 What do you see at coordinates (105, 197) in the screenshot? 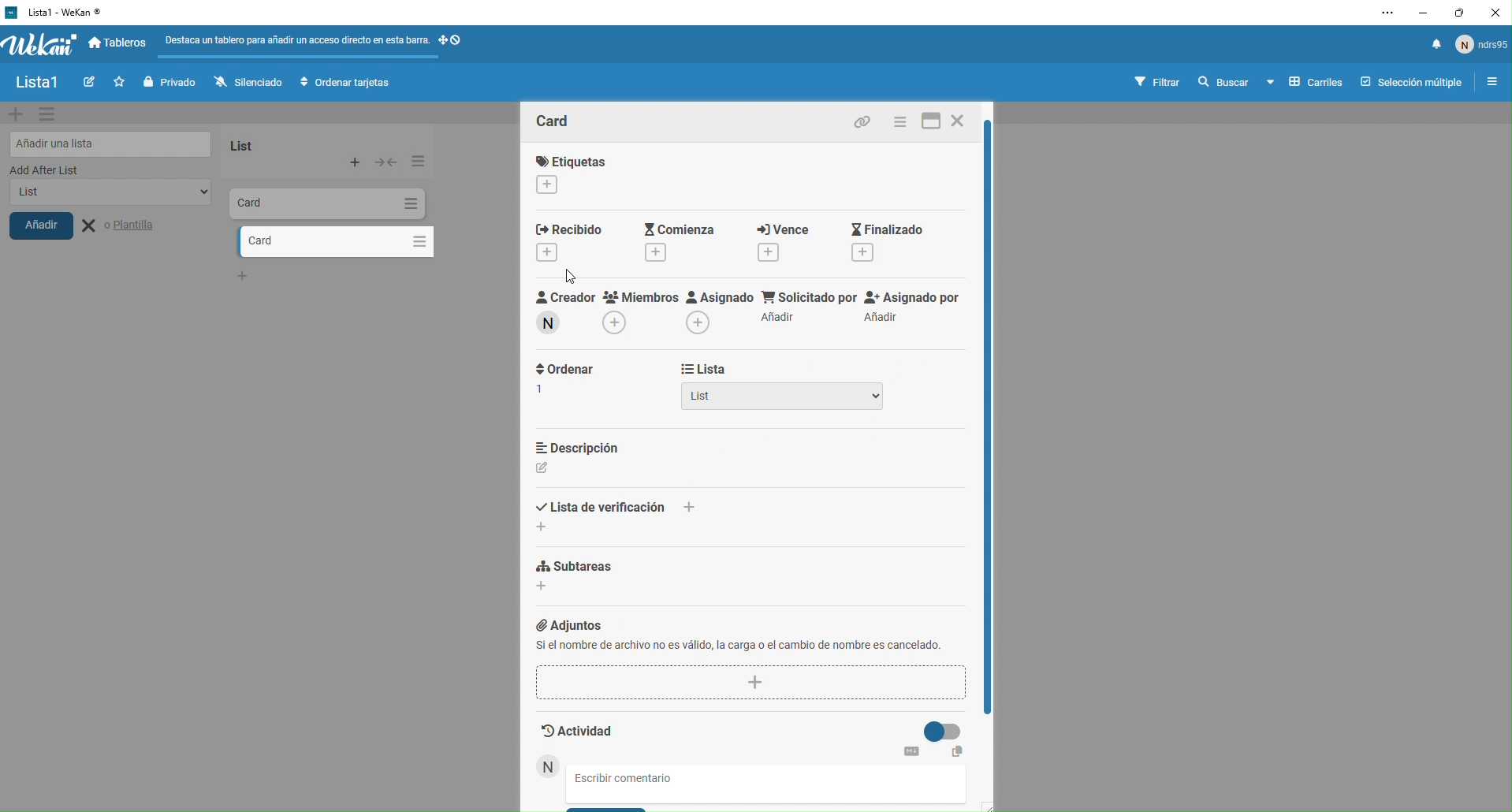
I see `list` at bounding box center [105, 197].